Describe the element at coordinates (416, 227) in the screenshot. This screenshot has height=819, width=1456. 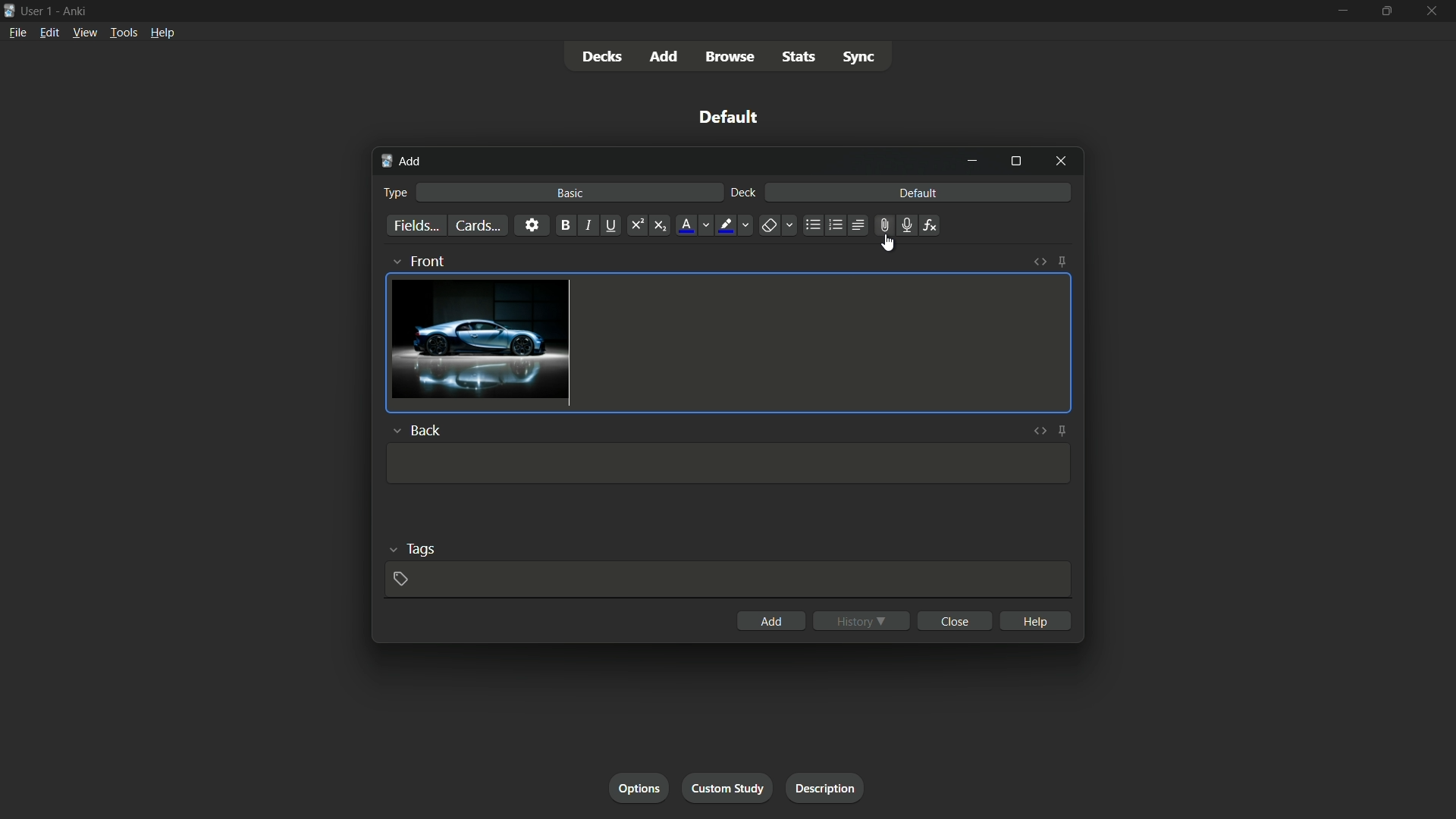
I see `fields` at that location.